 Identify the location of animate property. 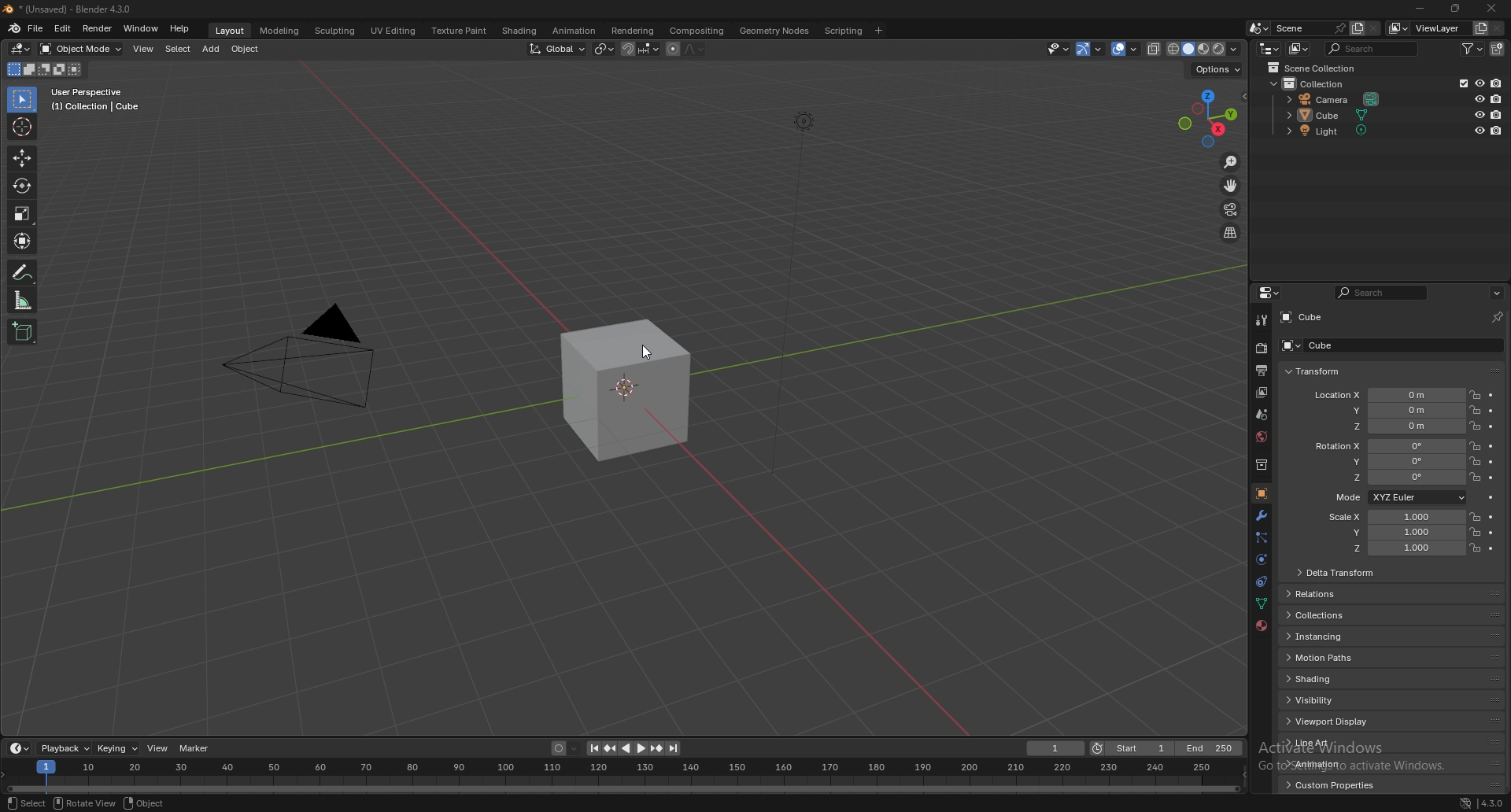
(1492, 498).